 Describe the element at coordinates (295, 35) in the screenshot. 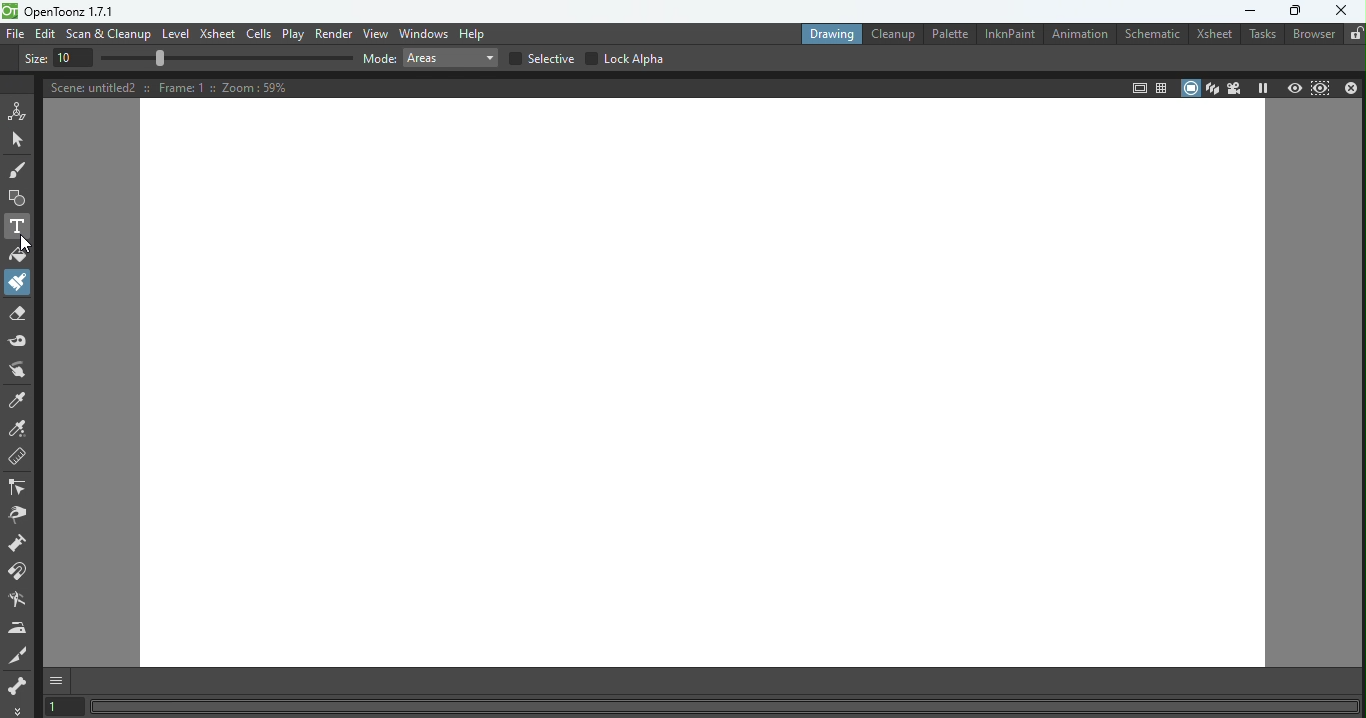

I see `Play` at that location.